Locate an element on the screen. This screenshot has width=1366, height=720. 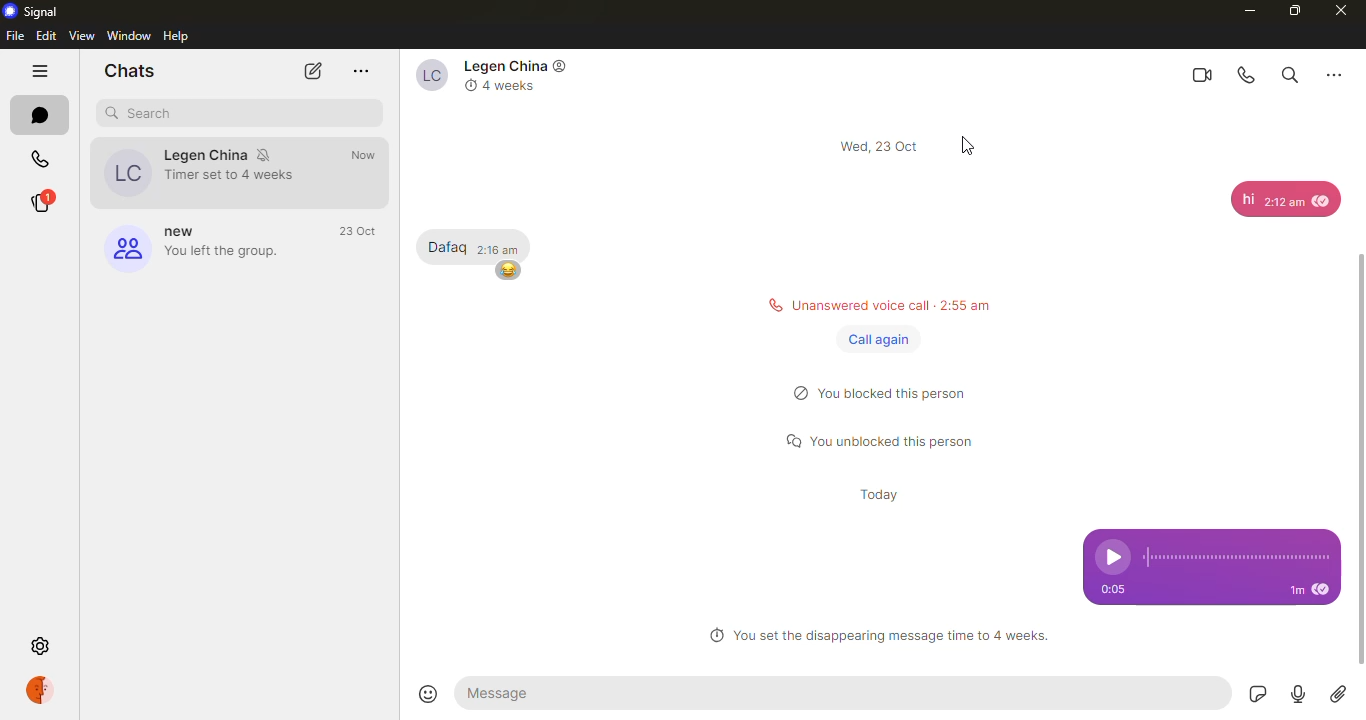
contact is located at coordinates (209, 171).